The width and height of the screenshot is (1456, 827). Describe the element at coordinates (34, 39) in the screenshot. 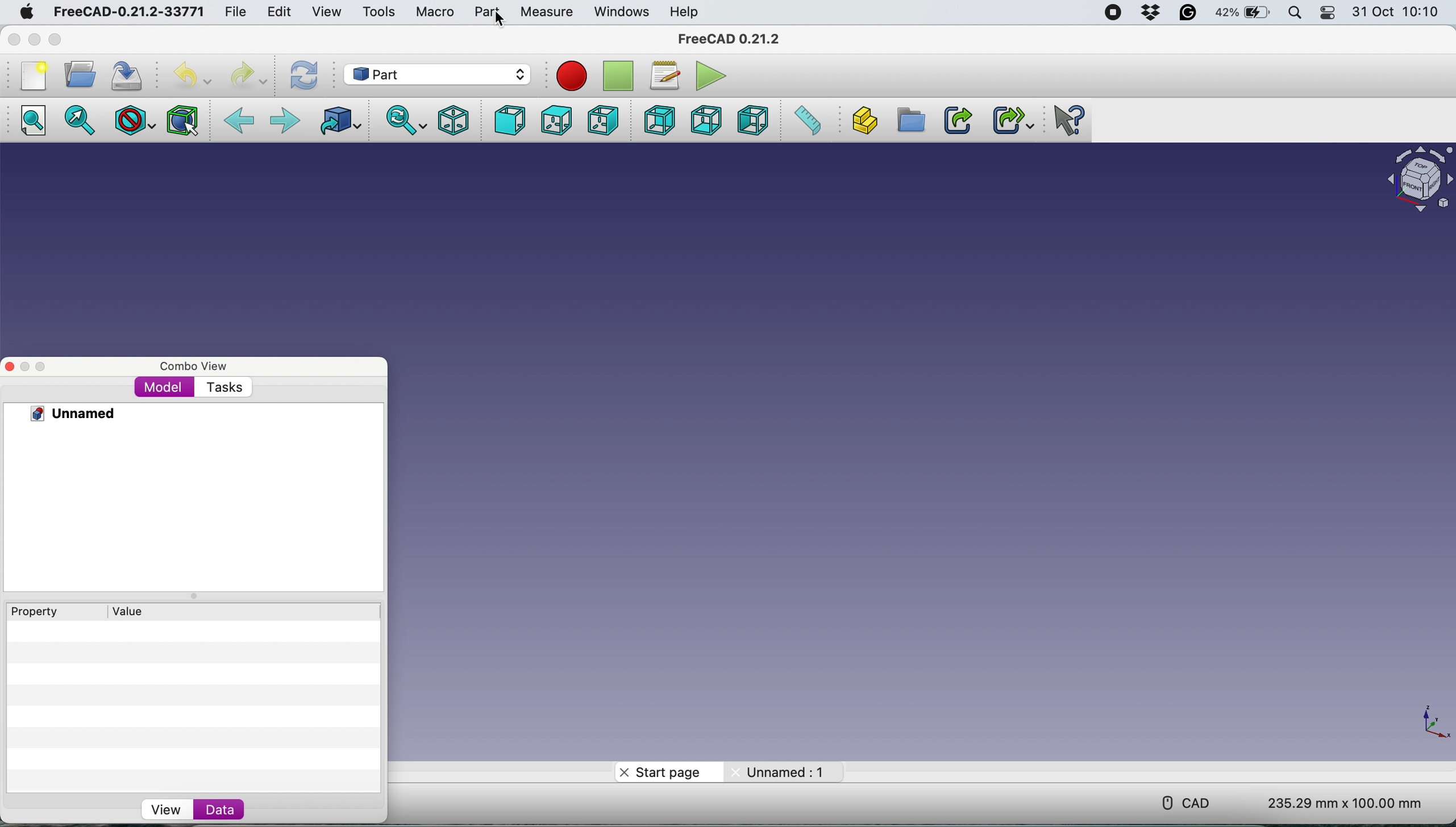

I see `minimize` at that location.